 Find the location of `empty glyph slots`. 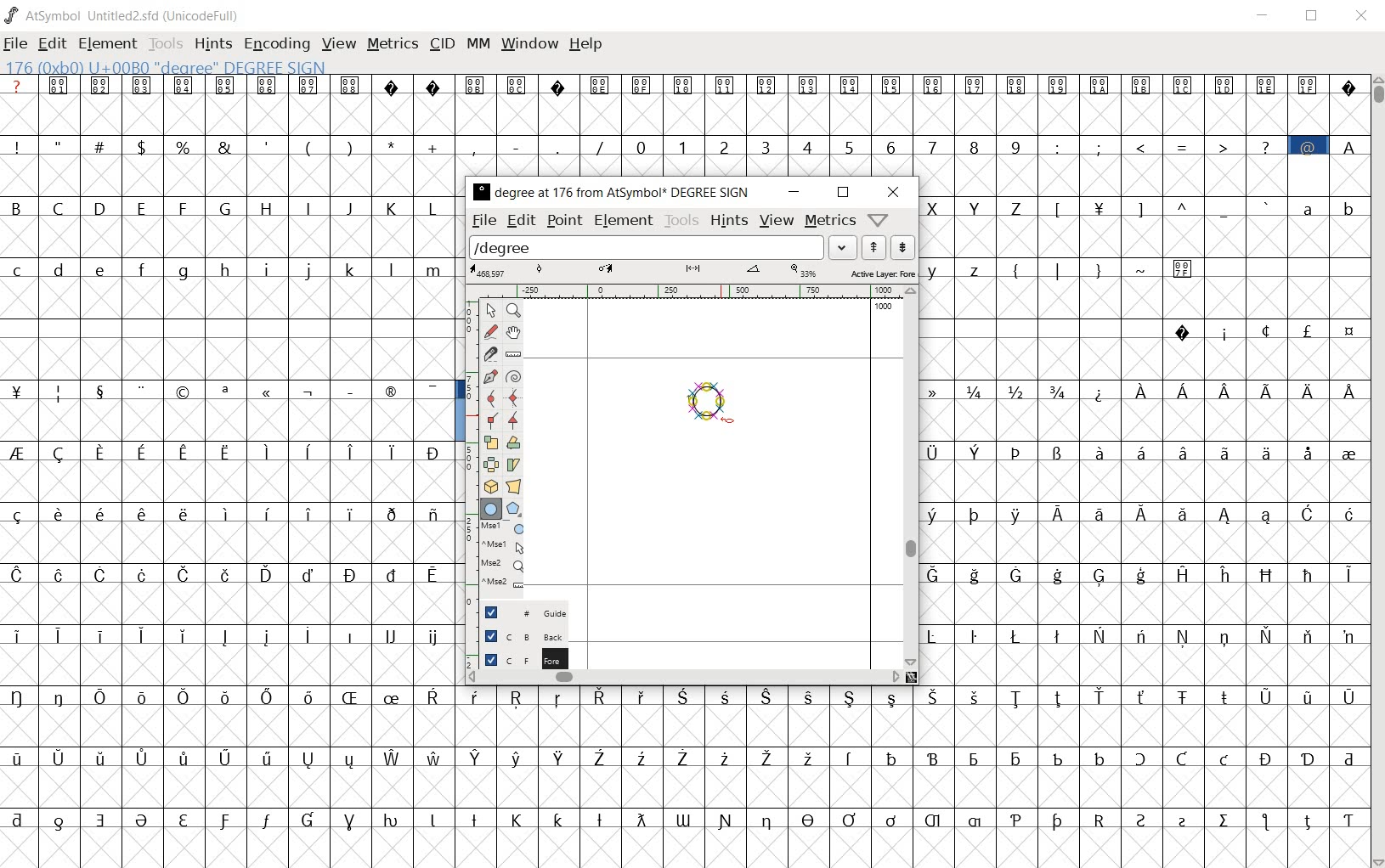

empty glyph slots is located at coordinates (232, 728).